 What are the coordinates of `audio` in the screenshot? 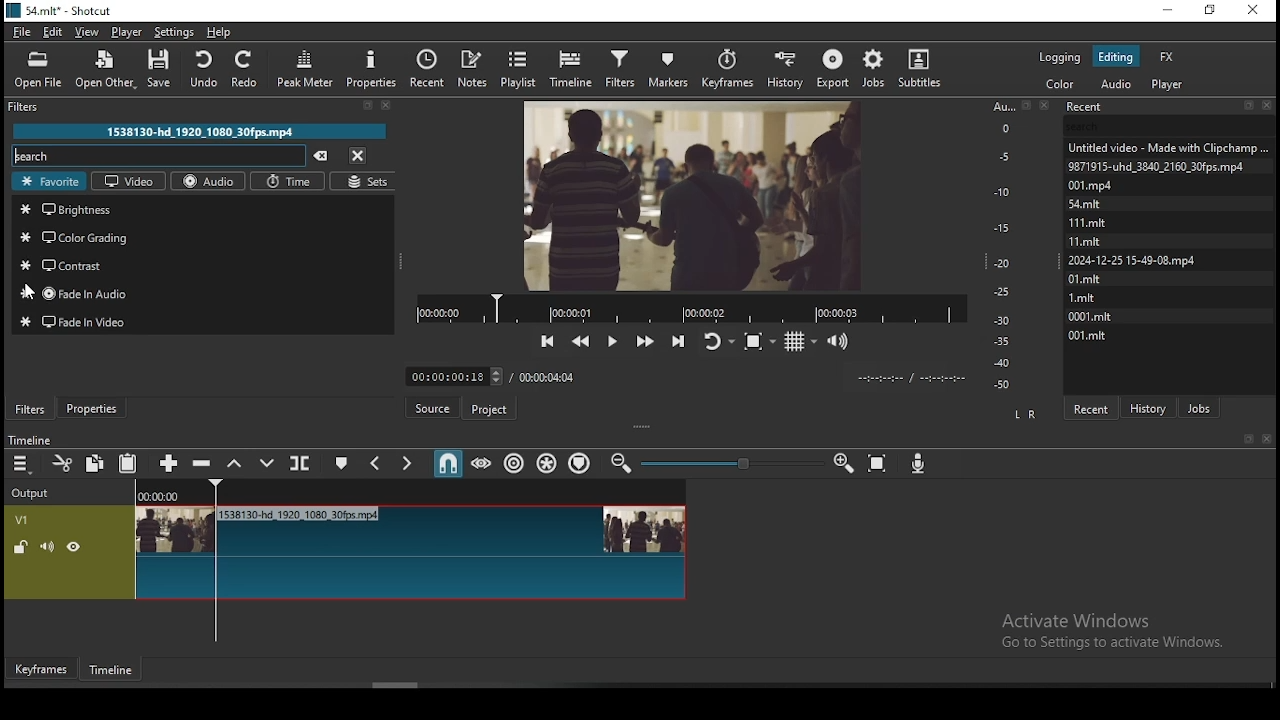 It's located at (206, 182).